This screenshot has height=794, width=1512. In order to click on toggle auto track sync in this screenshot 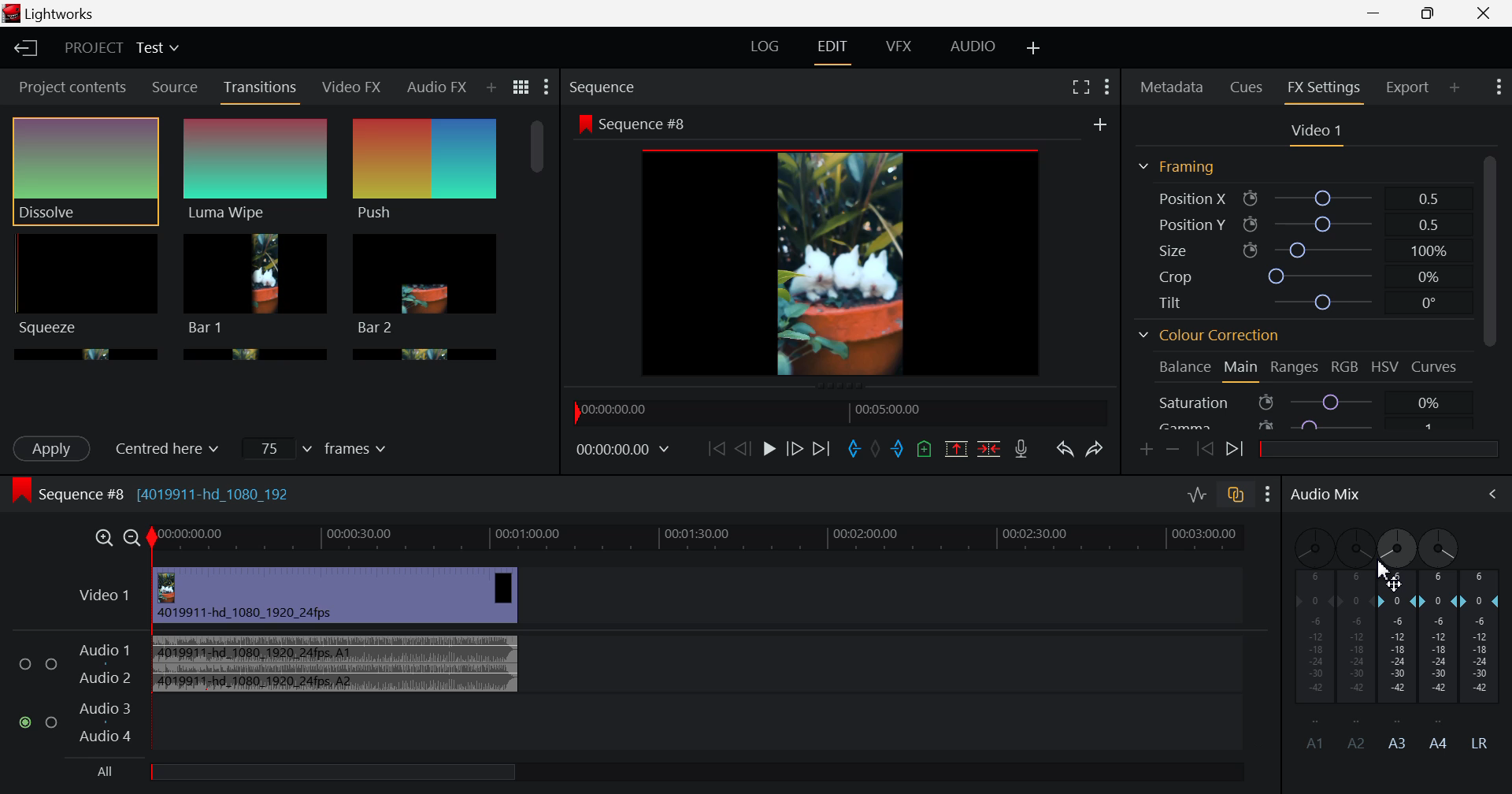, I will do `click(1237, 499)`.